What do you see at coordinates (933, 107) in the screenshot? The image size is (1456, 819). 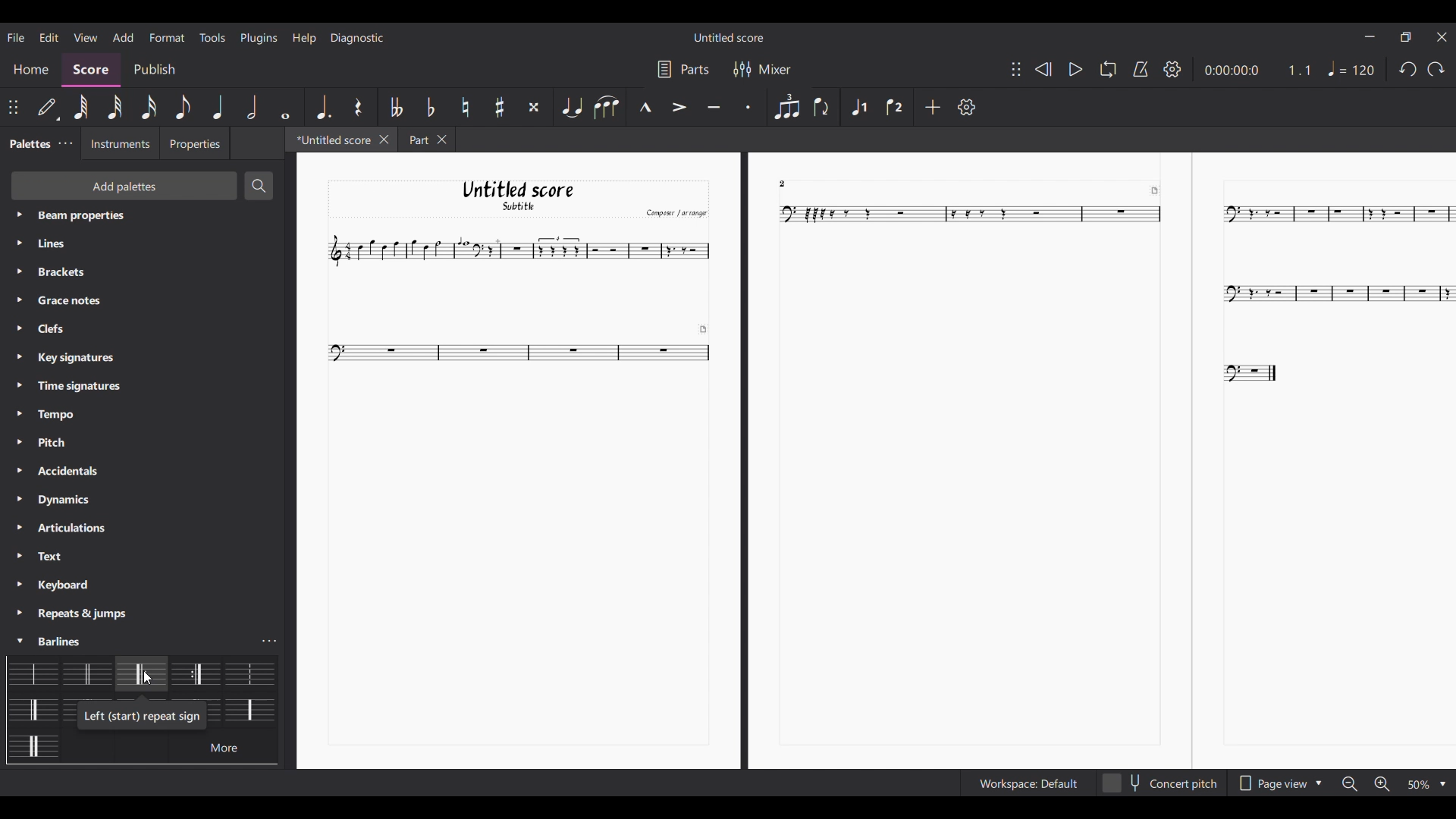 I see `Add` at bounding box center [933, 107].